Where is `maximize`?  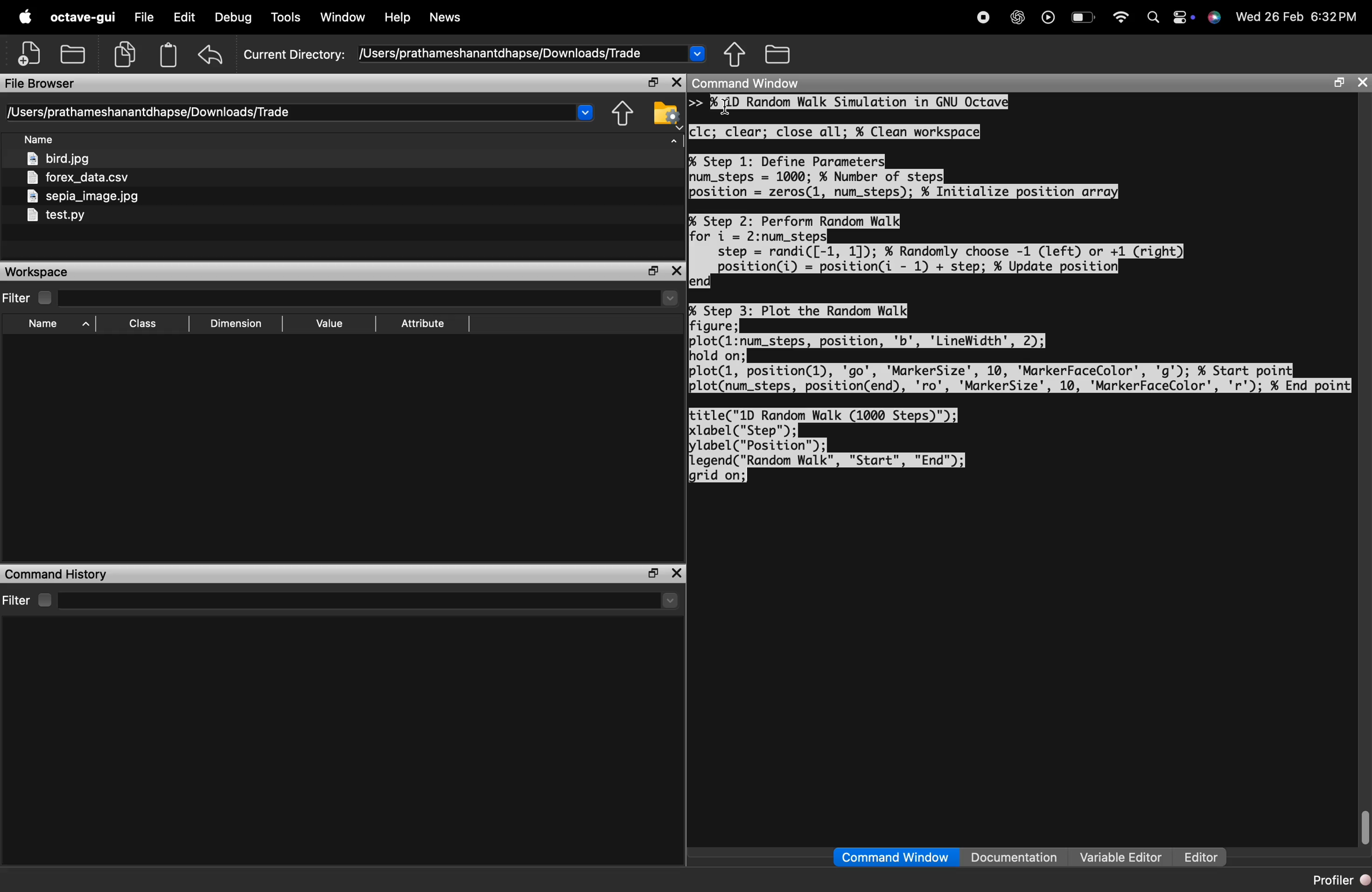
maximize is located at coordinates (1337, 83).